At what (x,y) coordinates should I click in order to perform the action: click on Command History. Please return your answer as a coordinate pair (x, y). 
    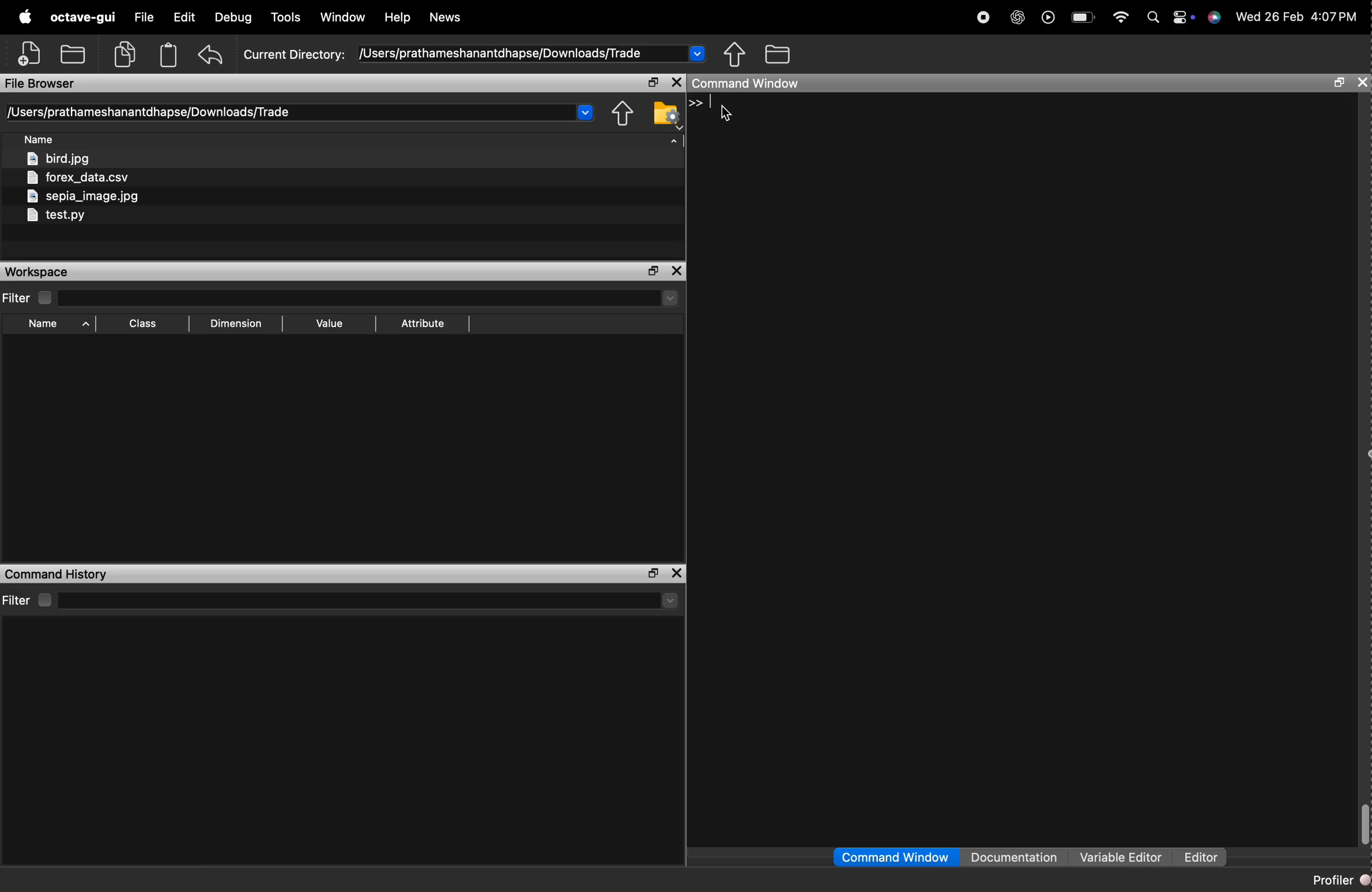
    Looking at the image, I should click on (57, 574).